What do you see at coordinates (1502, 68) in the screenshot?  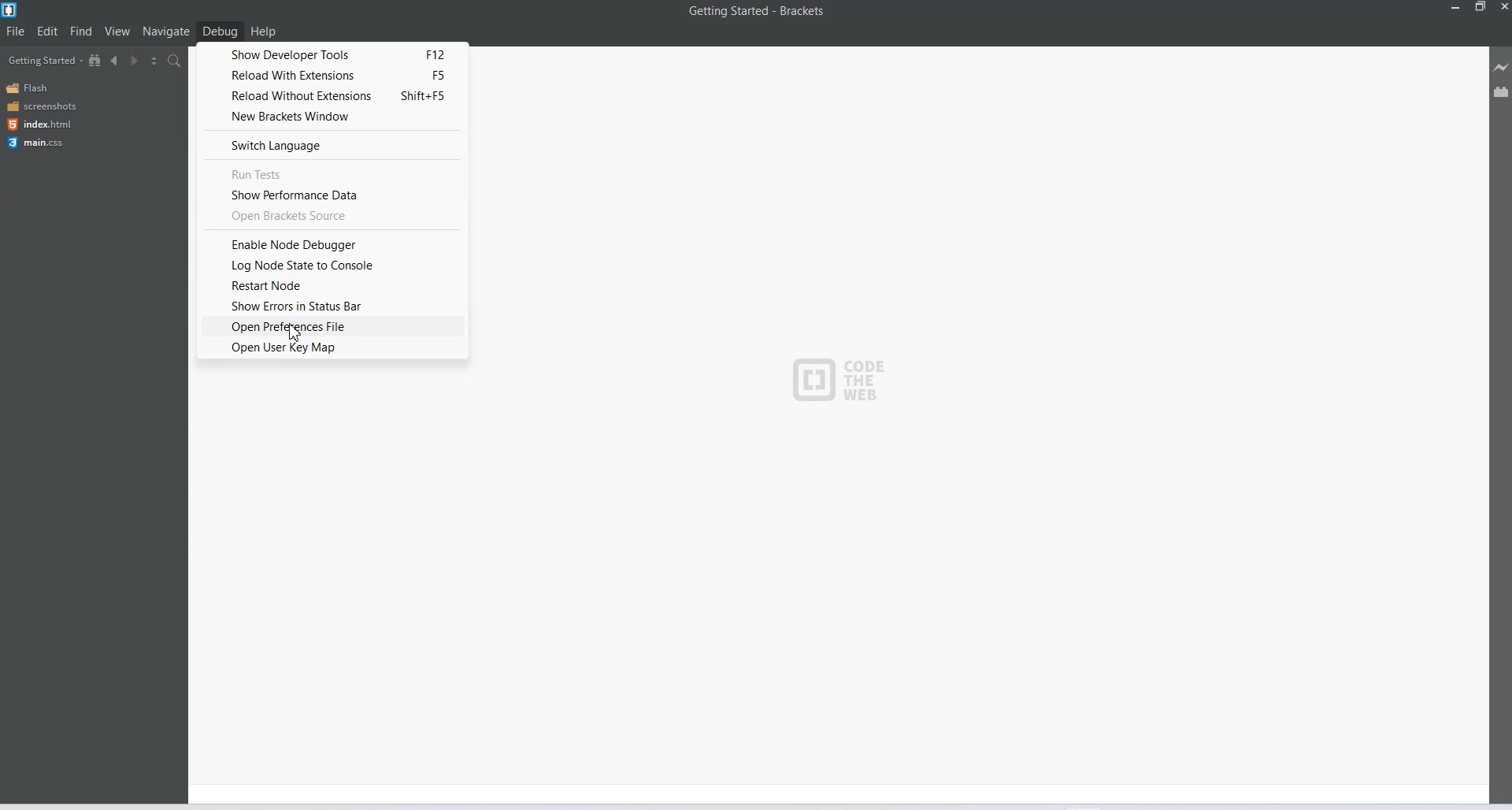 I see `Live Preview` at bounding box center [1502, 68].